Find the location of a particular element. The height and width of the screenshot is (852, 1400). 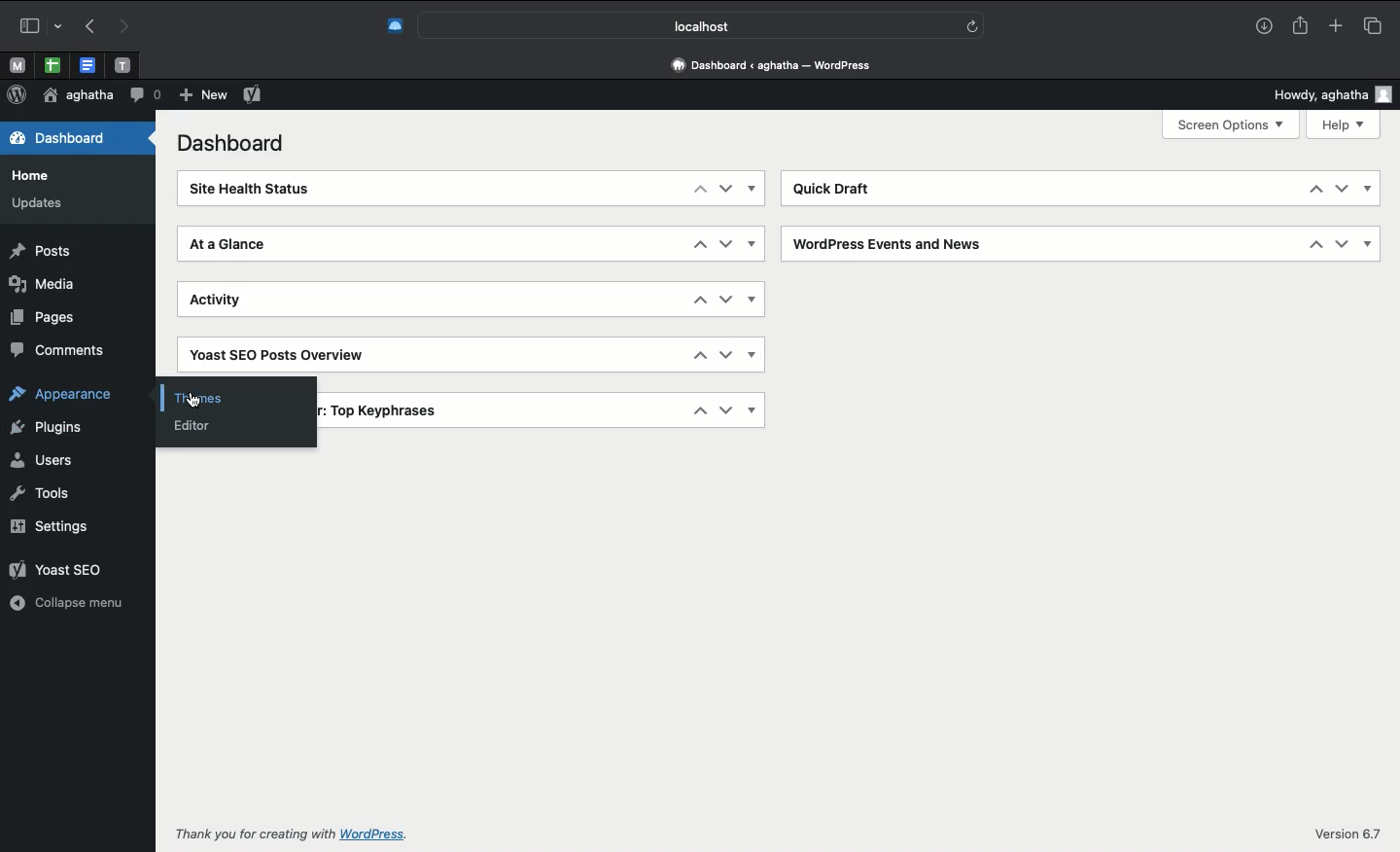

Comment is located at coordinates (145, 93).